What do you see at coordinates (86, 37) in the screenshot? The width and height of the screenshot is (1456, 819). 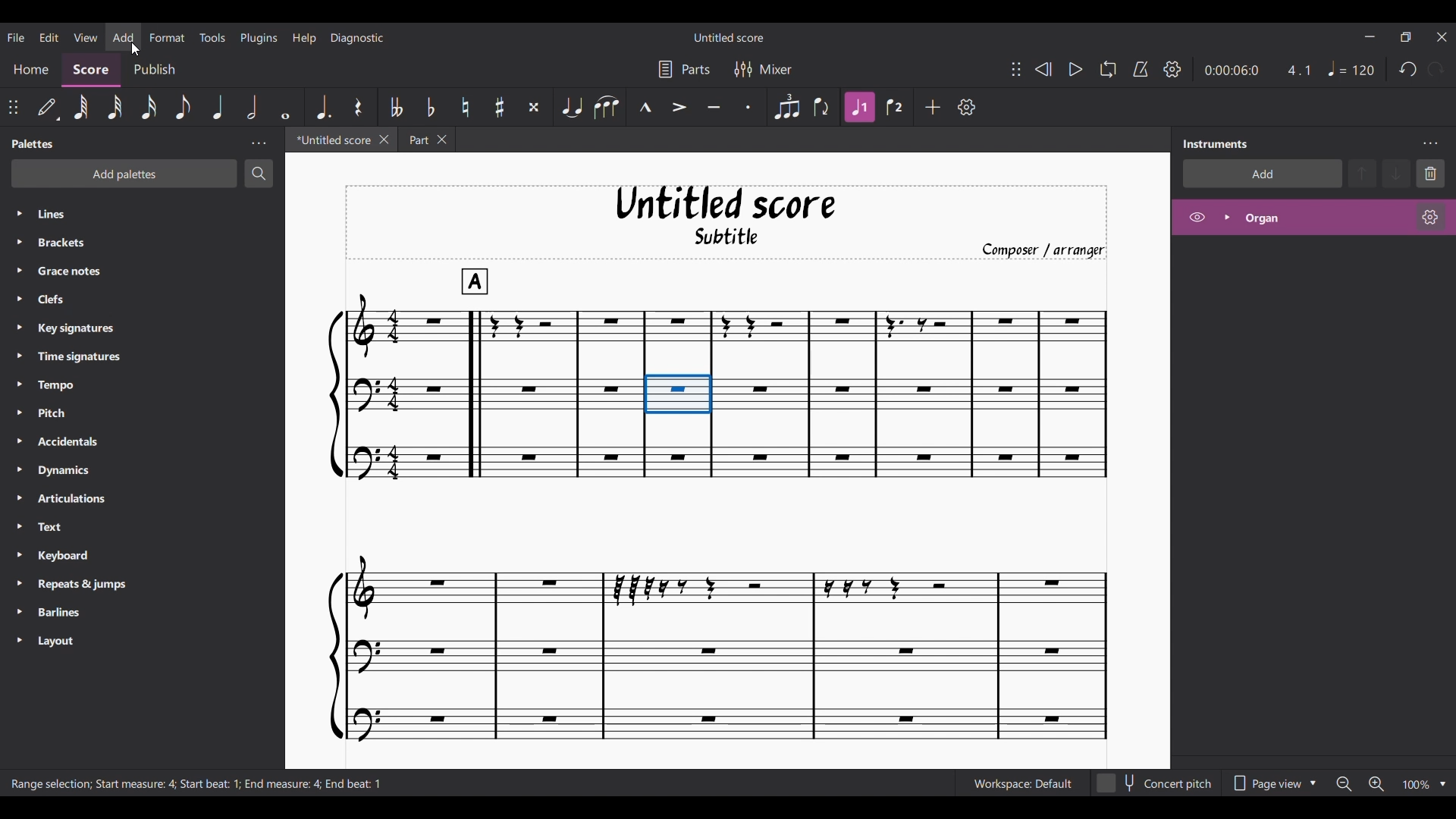 I see `View menu` at bounding box center [86, 37].